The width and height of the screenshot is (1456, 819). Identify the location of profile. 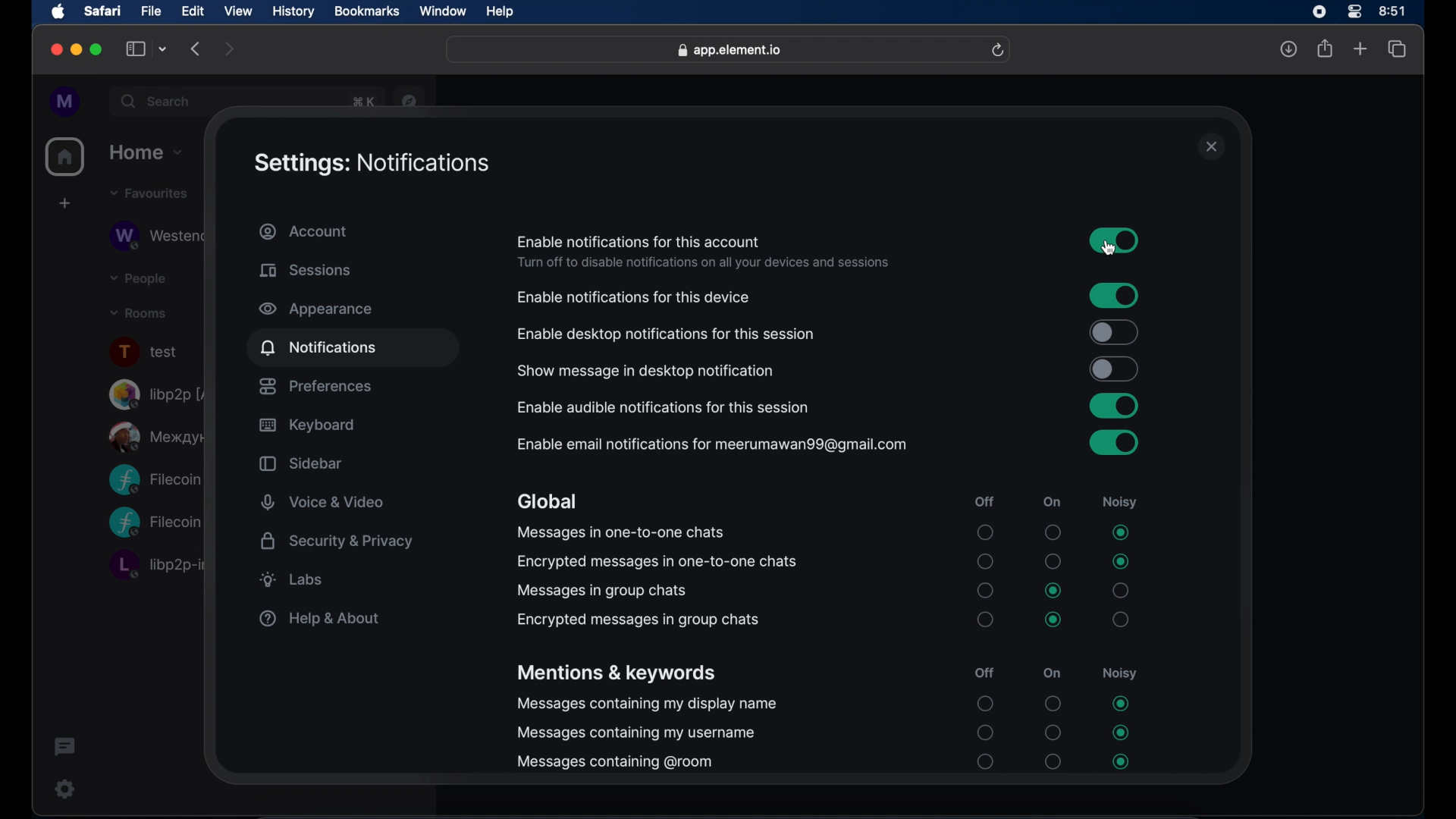
(64, 102).